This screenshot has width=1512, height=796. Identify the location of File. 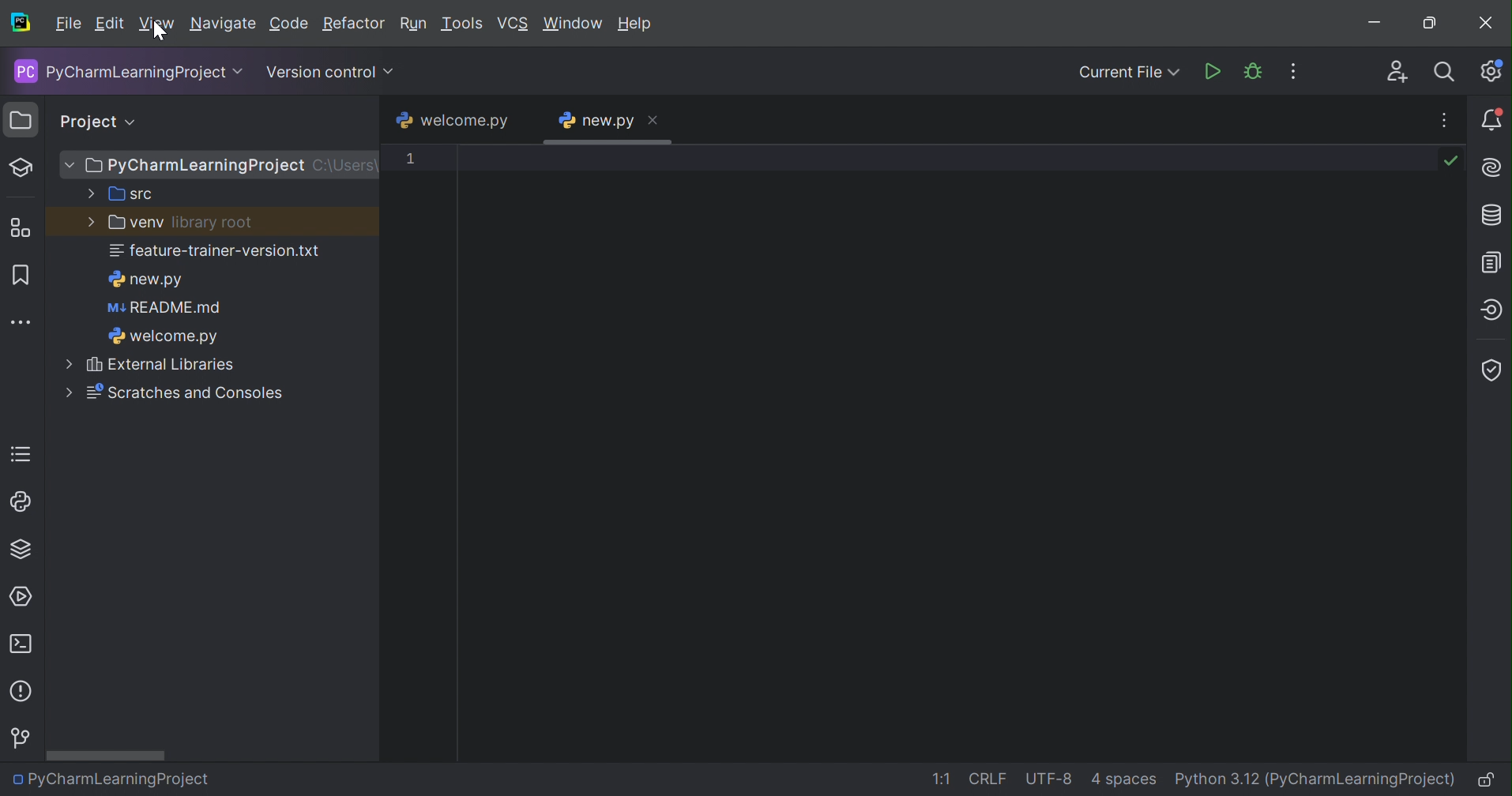
(67, 24).